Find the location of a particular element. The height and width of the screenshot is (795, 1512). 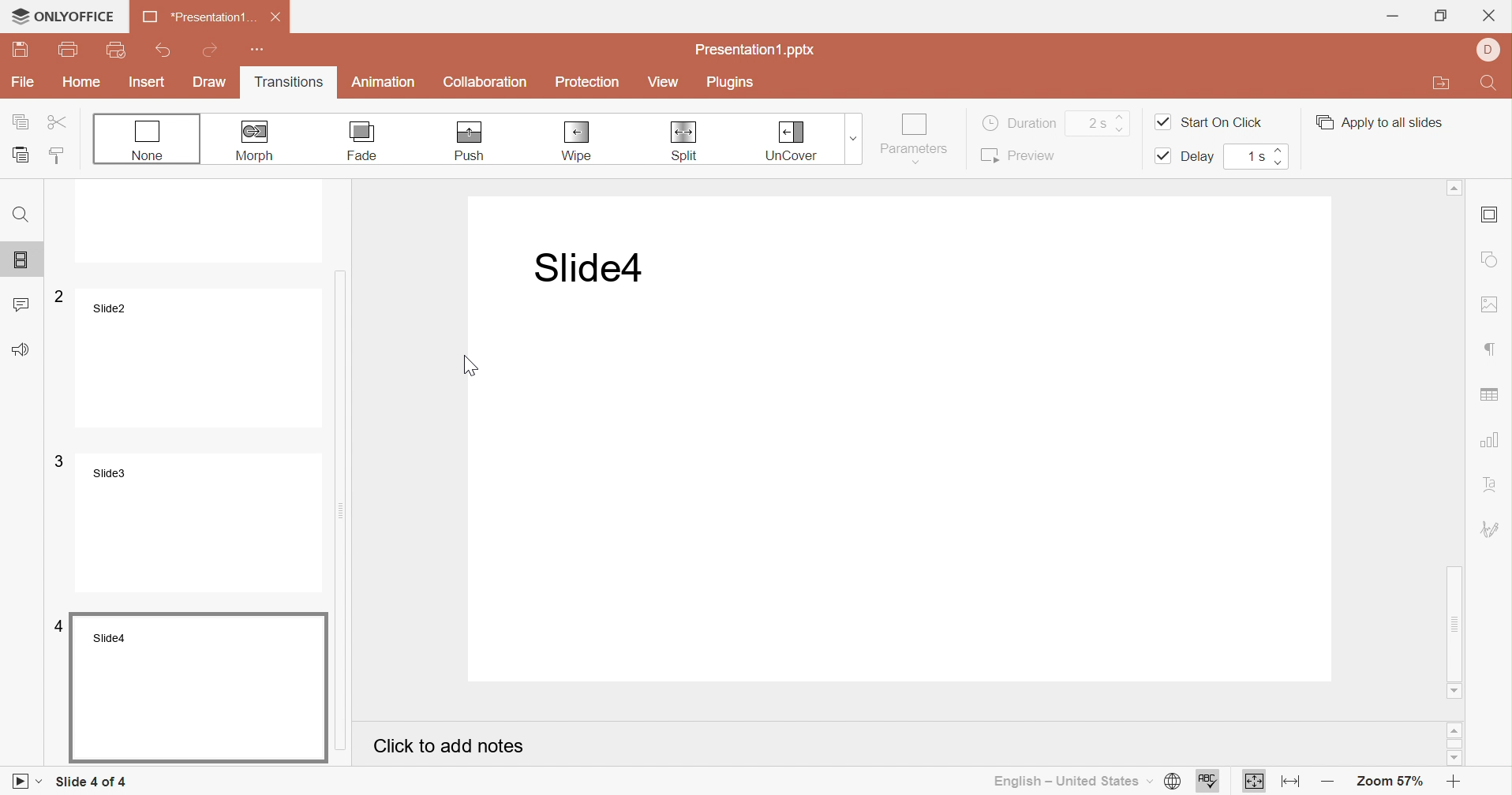

Copy is located at coordinates (22, 123).